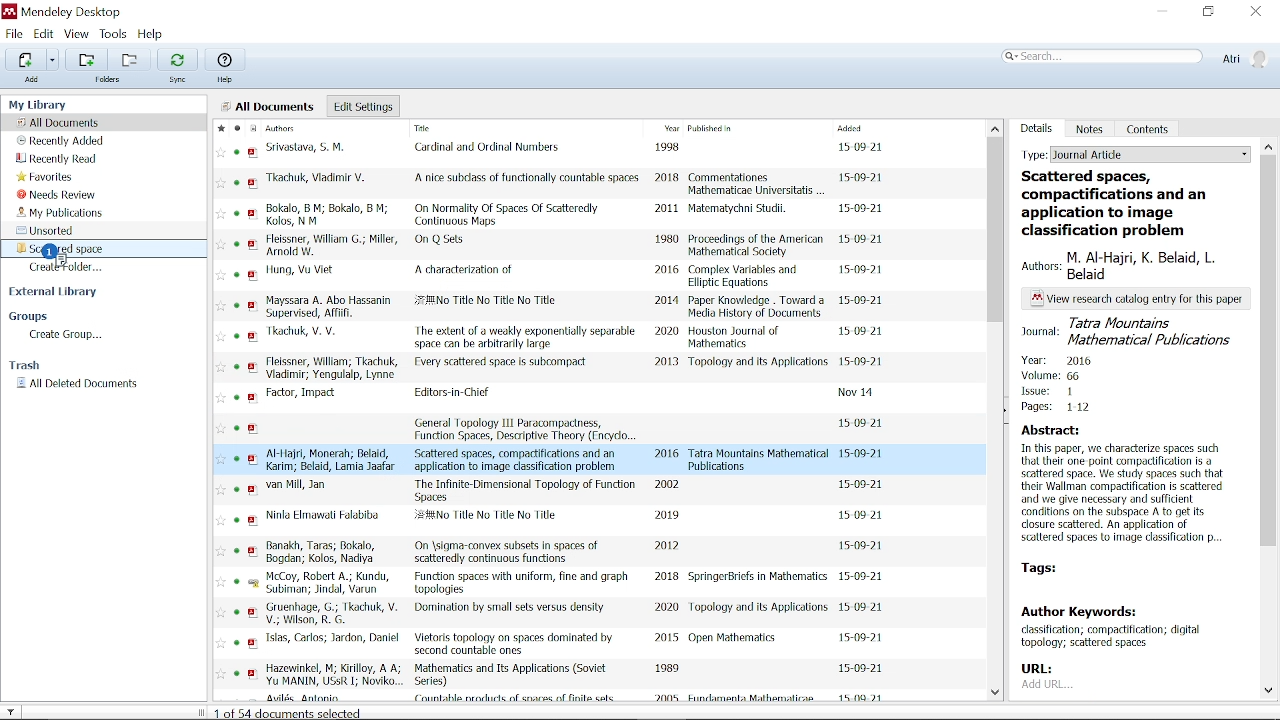  Describe the element at coordinates (269, 106) in the screenshot. I see `all documents` at that location.